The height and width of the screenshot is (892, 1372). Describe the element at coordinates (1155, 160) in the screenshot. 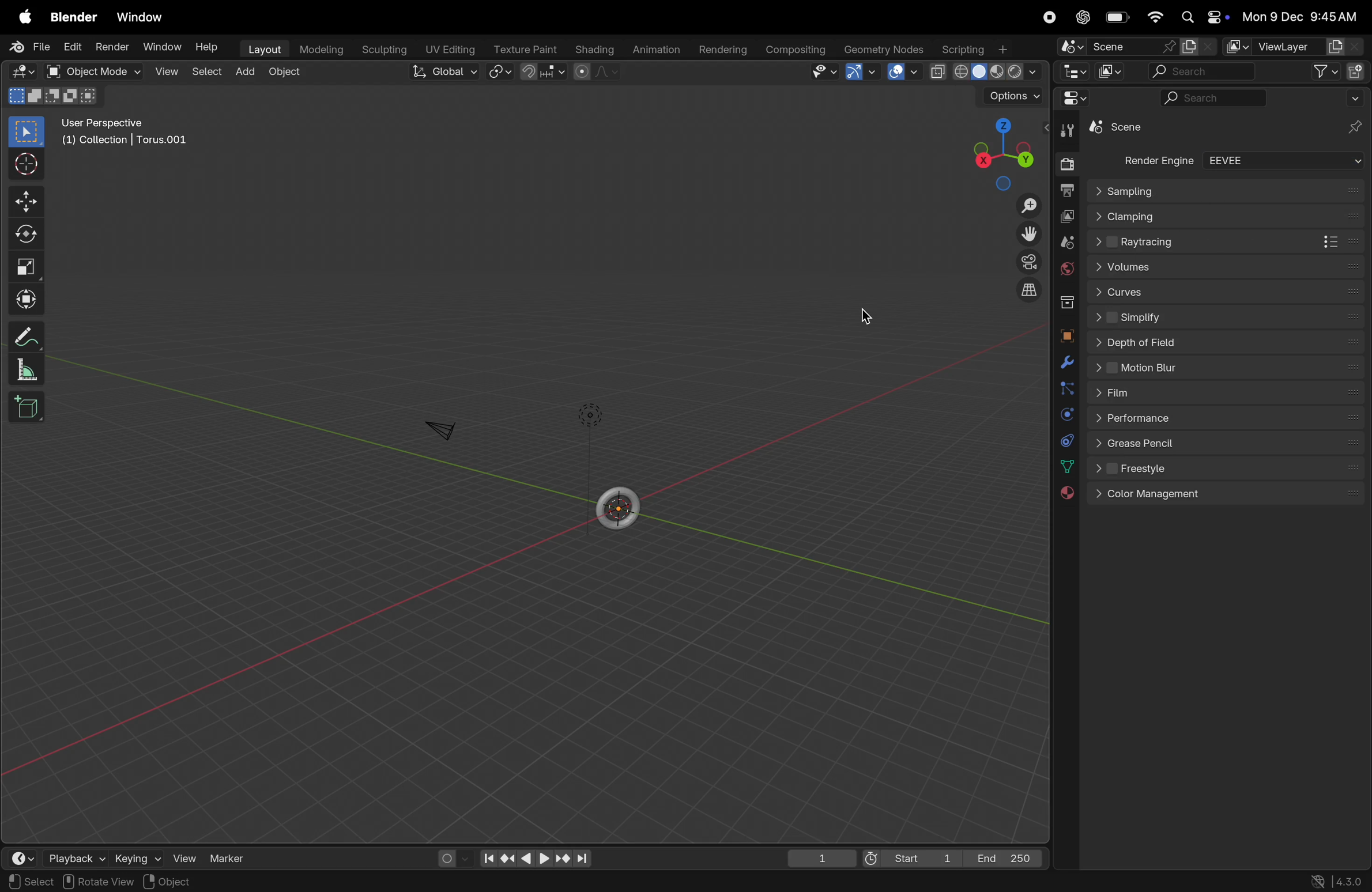

I see `render engine` at that location.